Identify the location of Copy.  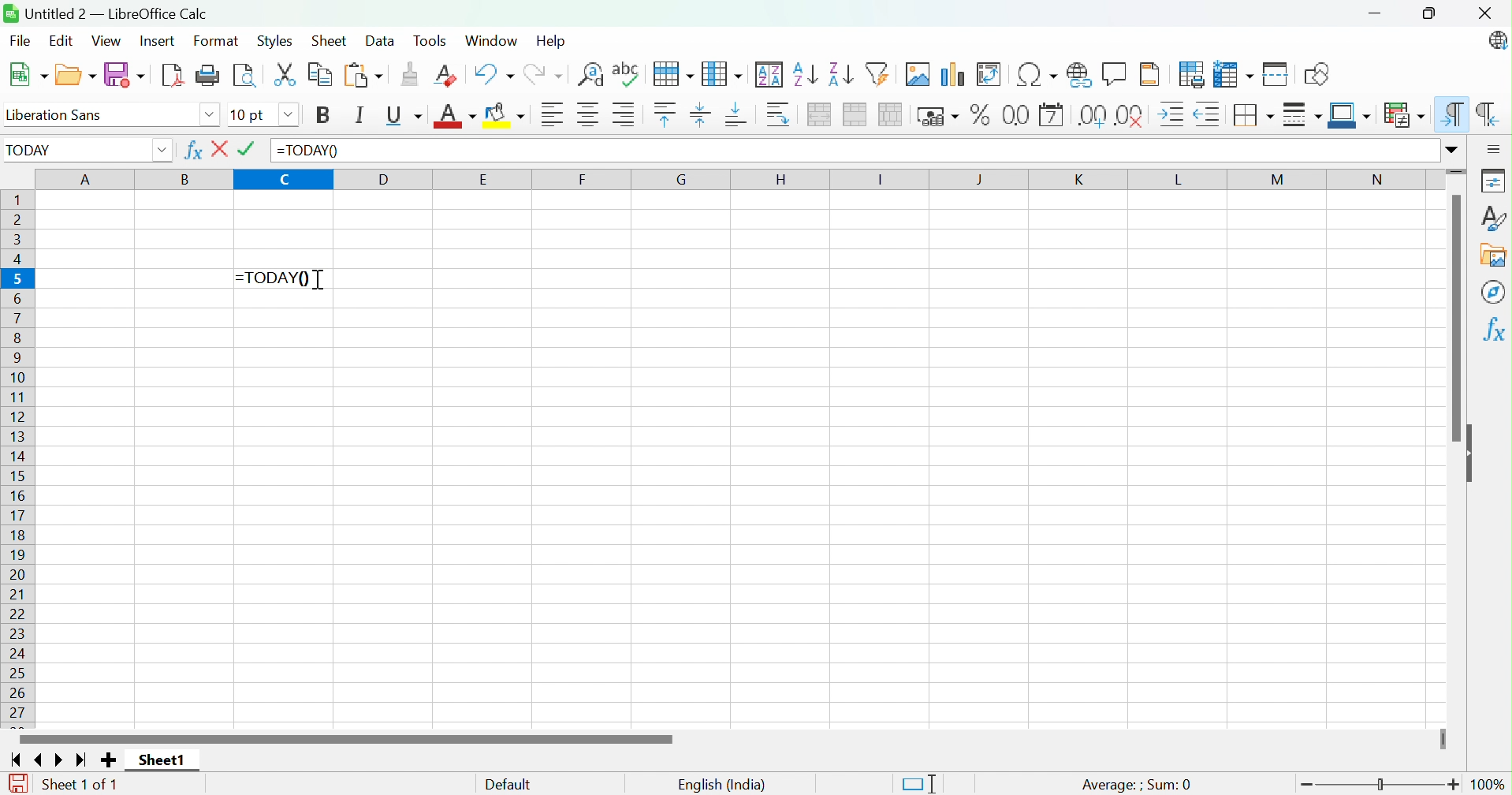
(321, 73).